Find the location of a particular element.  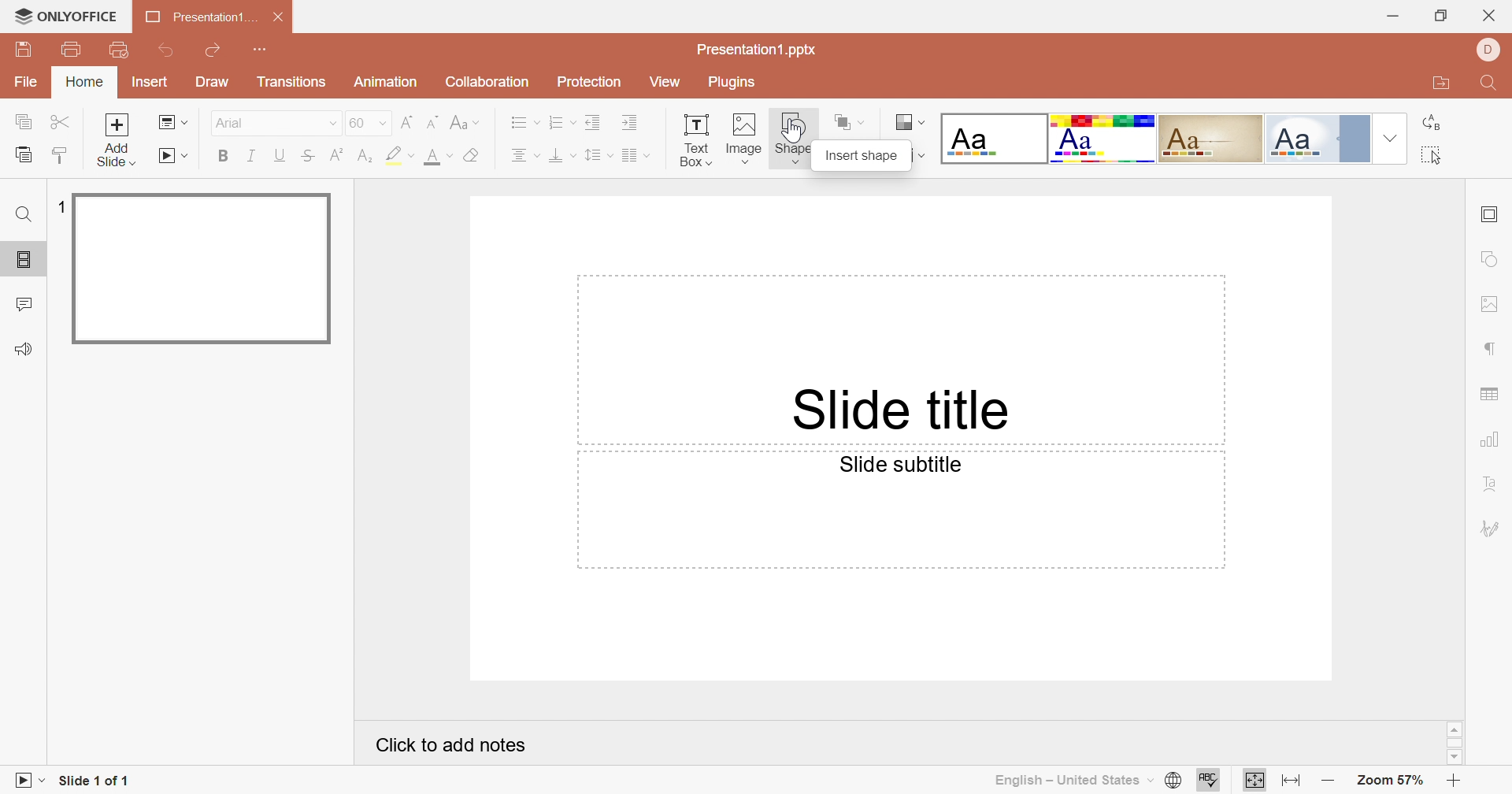

Collaboration is located at coordinates (483, 82).